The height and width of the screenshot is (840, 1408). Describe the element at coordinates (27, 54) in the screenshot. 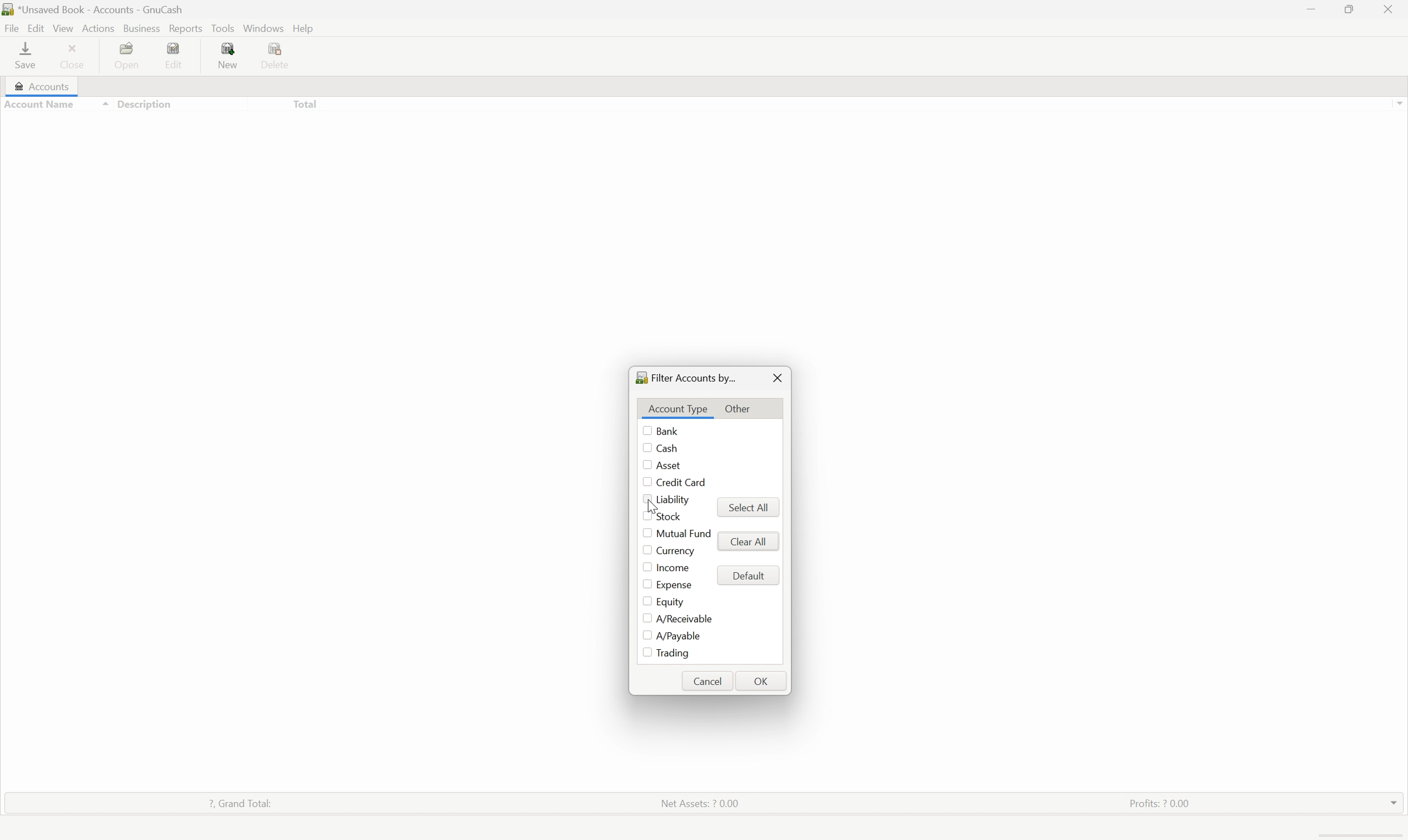

I see `save` at that location.